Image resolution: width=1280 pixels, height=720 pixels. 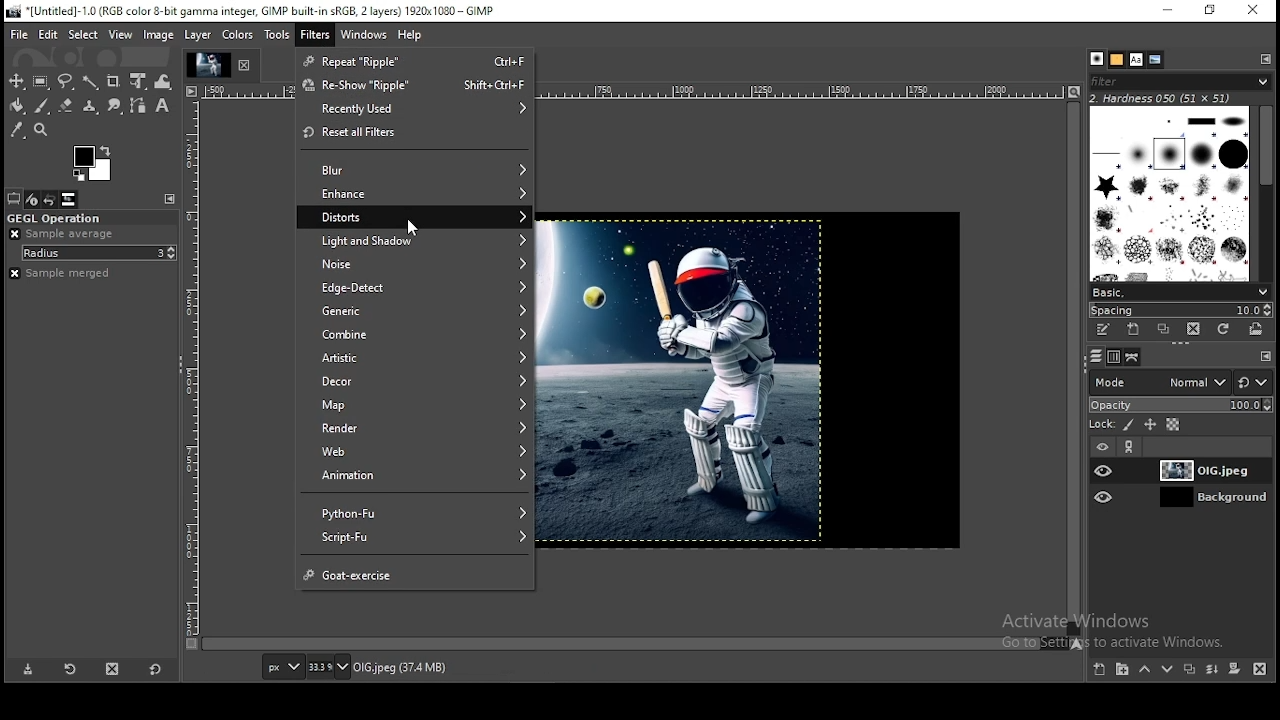 What do you see at coordinates (1096, 357) in the screenshot?
I see `layers` at bounding box center [1096, 357].